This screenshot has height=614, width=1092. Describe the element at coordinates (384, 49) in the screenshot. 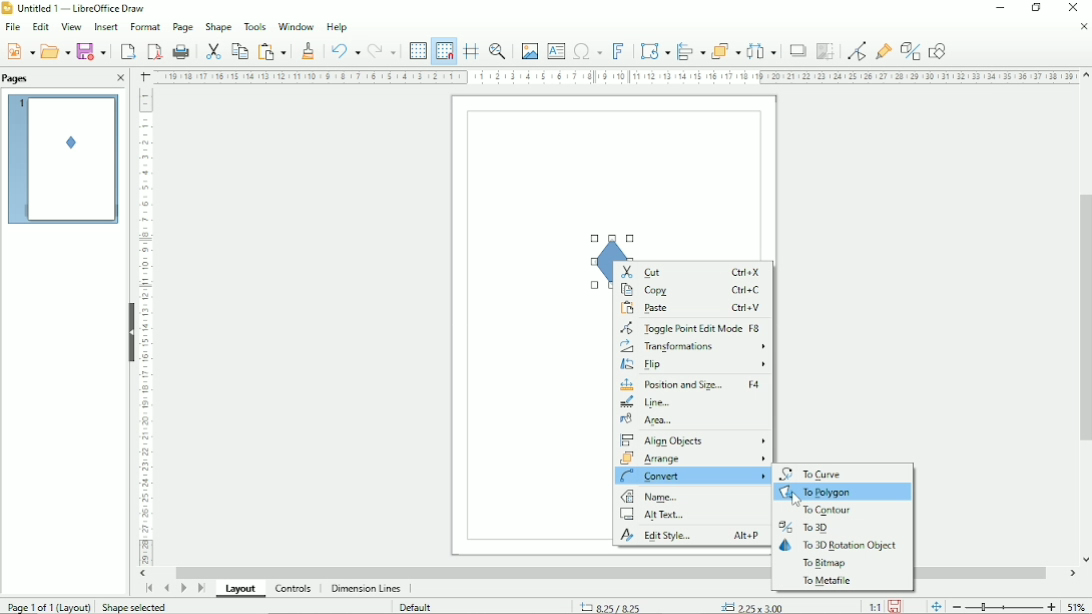

I see `Redo` at that location.